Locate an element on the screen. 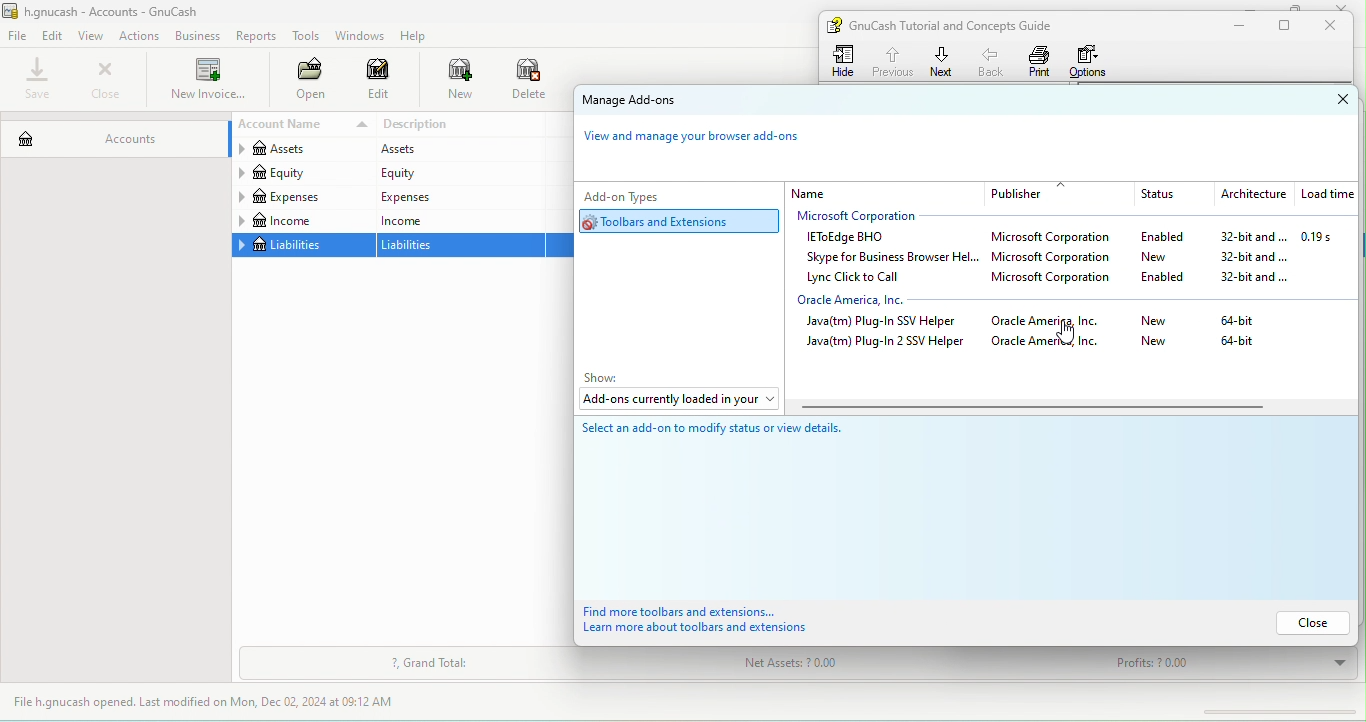 The width and height of the screenshot is (1366, 722). oracle america lnc is located at coordinates (868, 300).